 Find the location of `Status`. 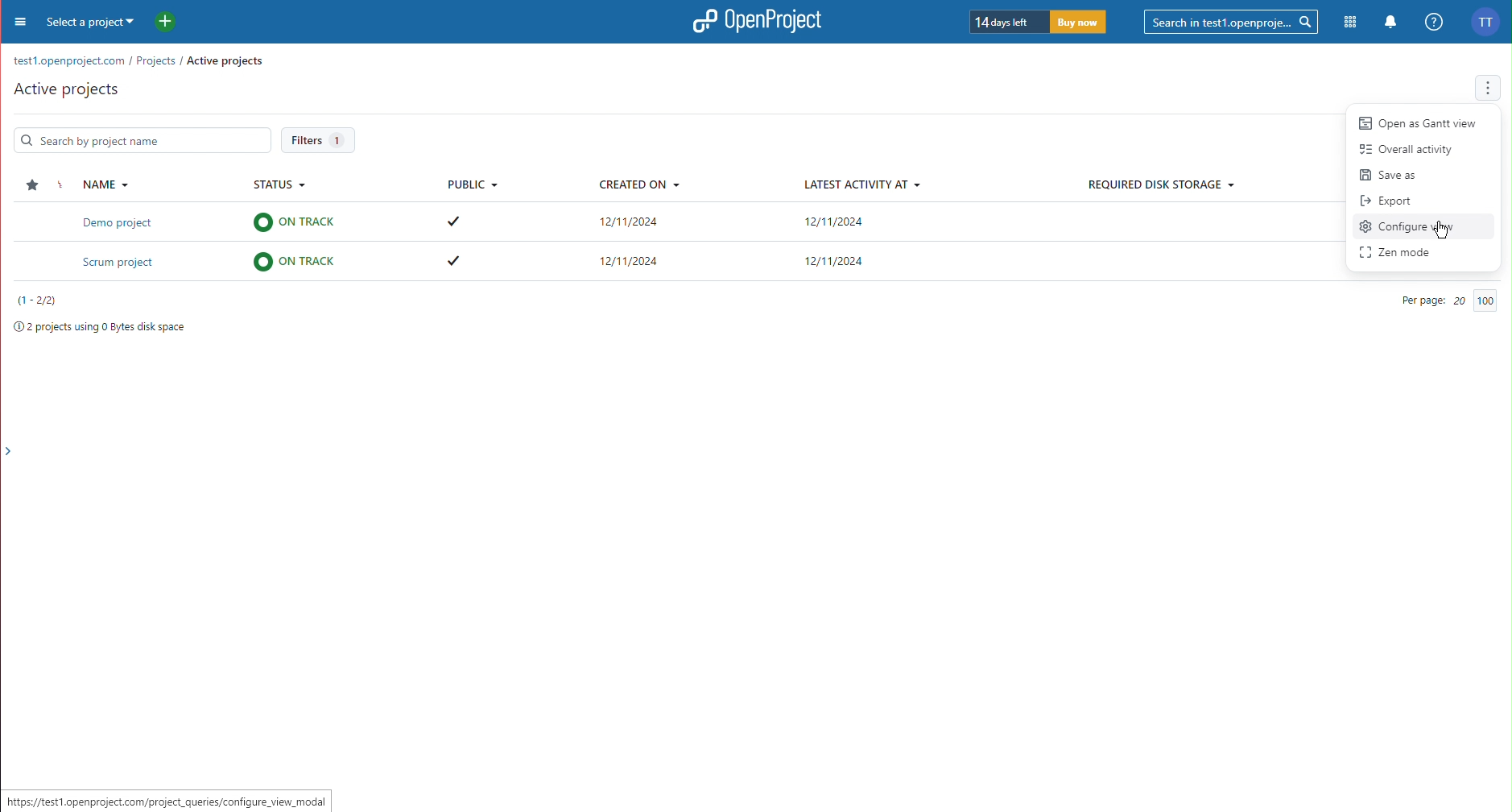

Status is located at coordinates (283, 188).